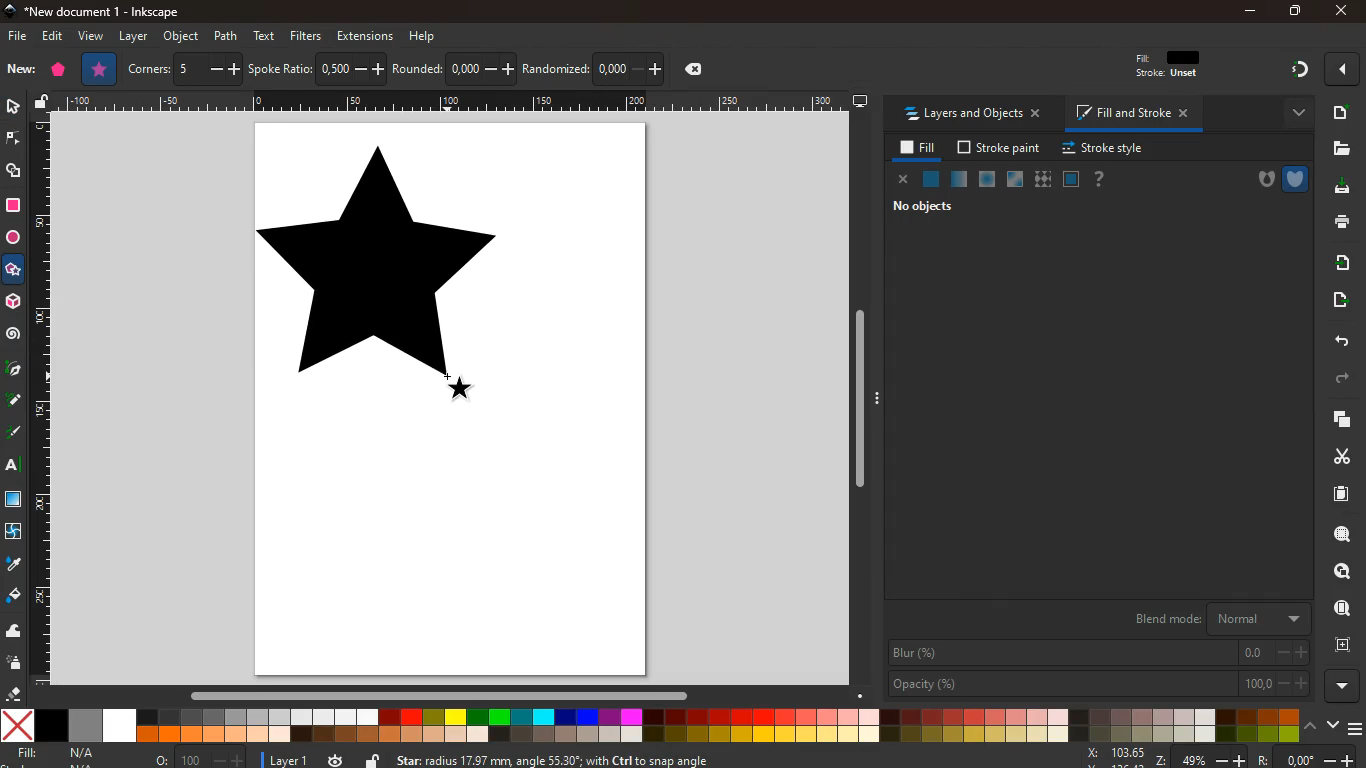  Describe the element at coordinates (456, 385) in the screenshot. I see `Shape cursor` at that location.